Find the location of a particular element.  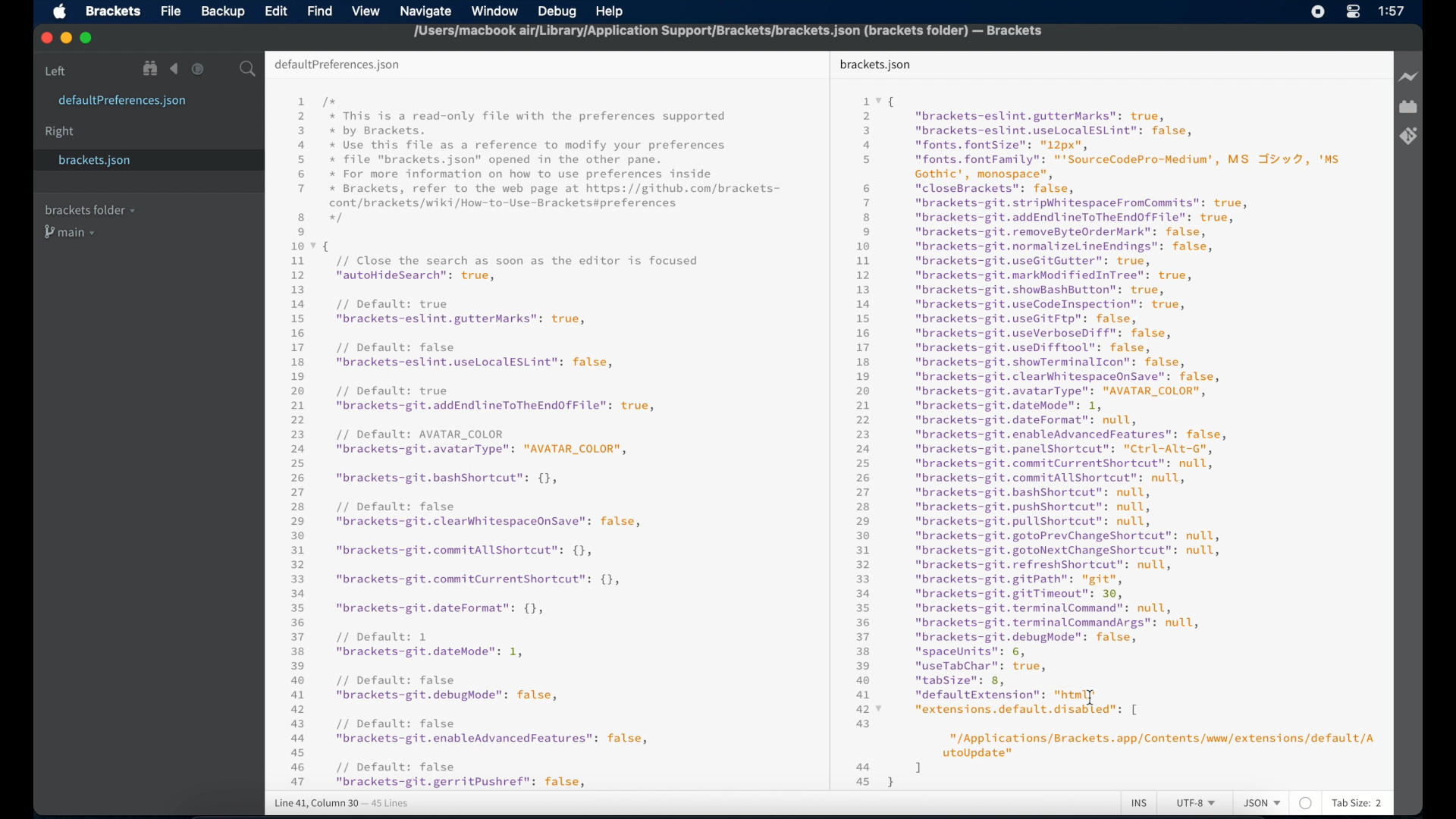

line 41, column 30 - 45 lines is located at coordinates (341, 804).